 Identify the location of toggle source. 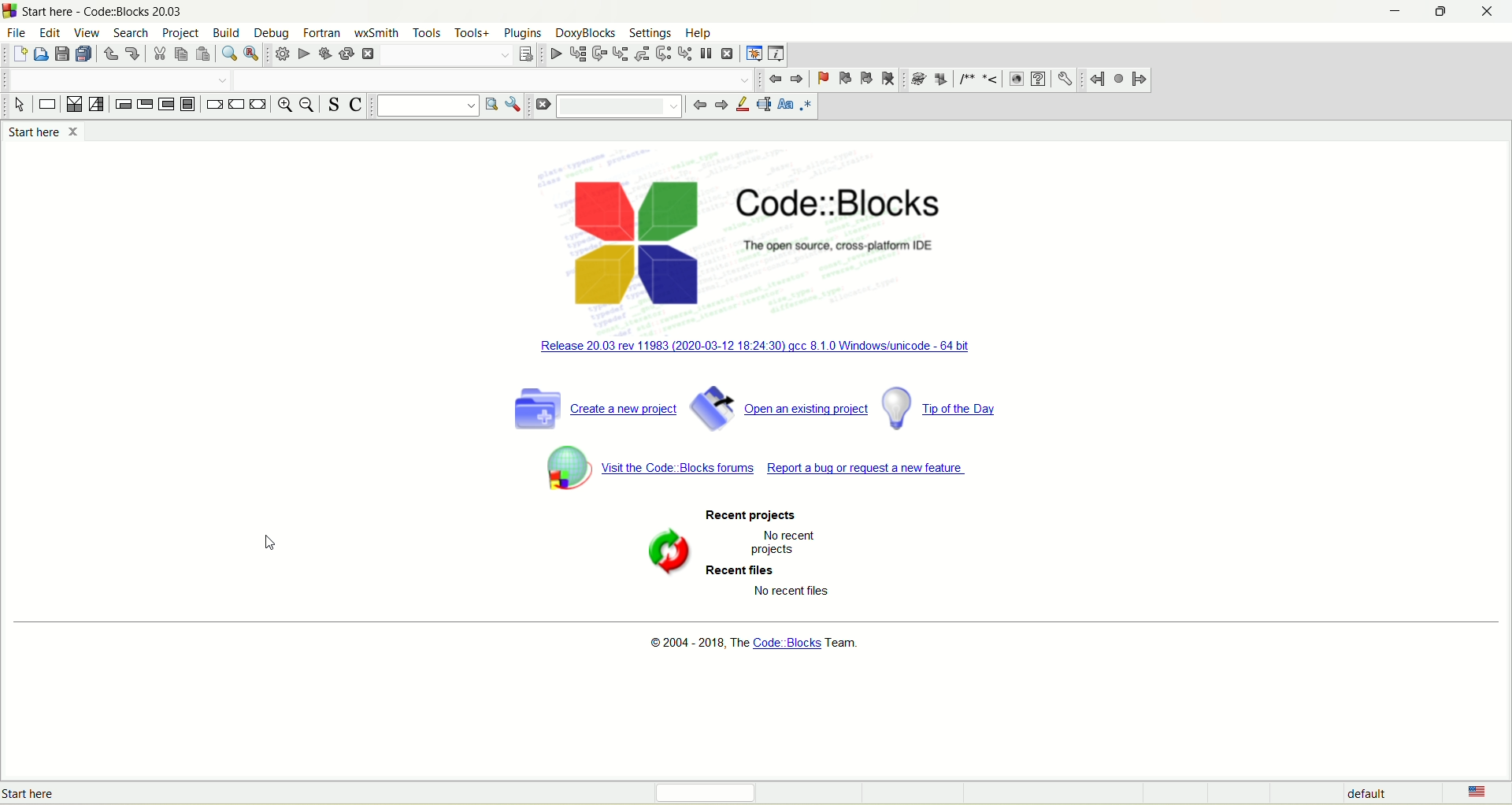
(332, 103).